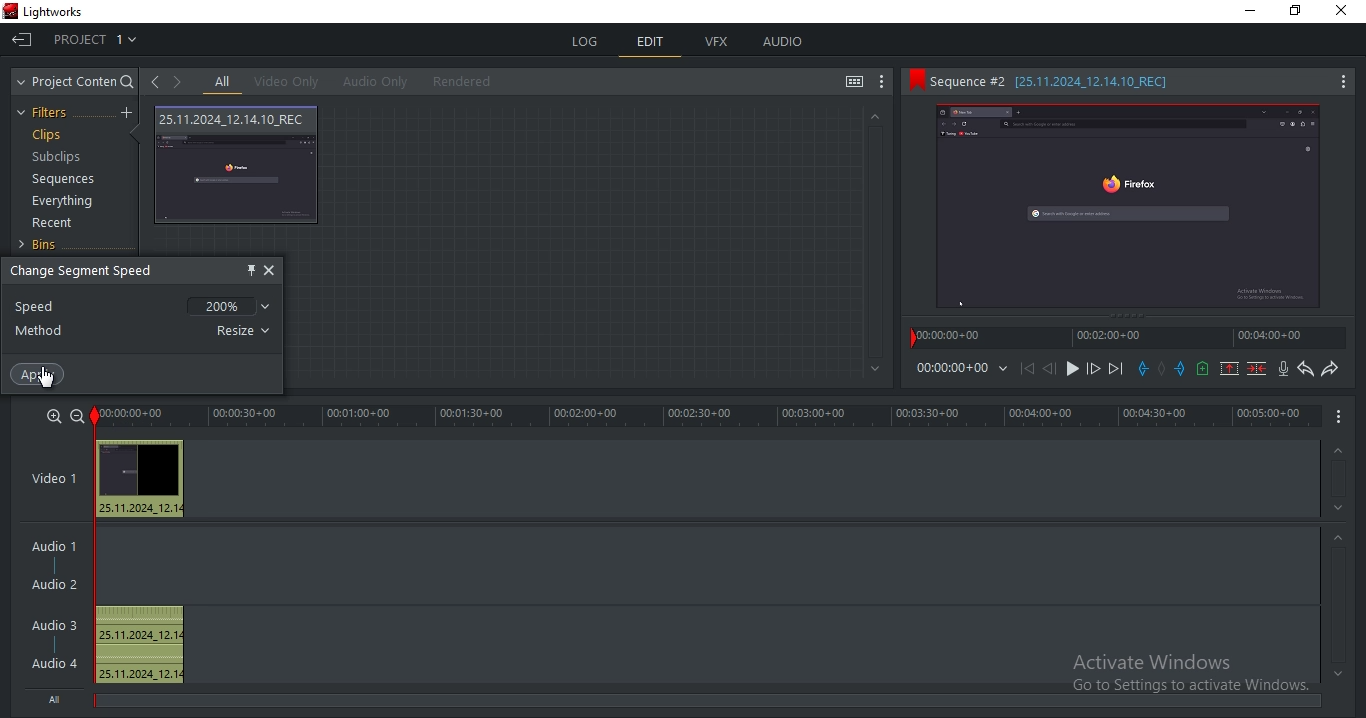 The width and height of the screenshot is (1366, 718). I want to click on sequence 2, so click(1126, 82).